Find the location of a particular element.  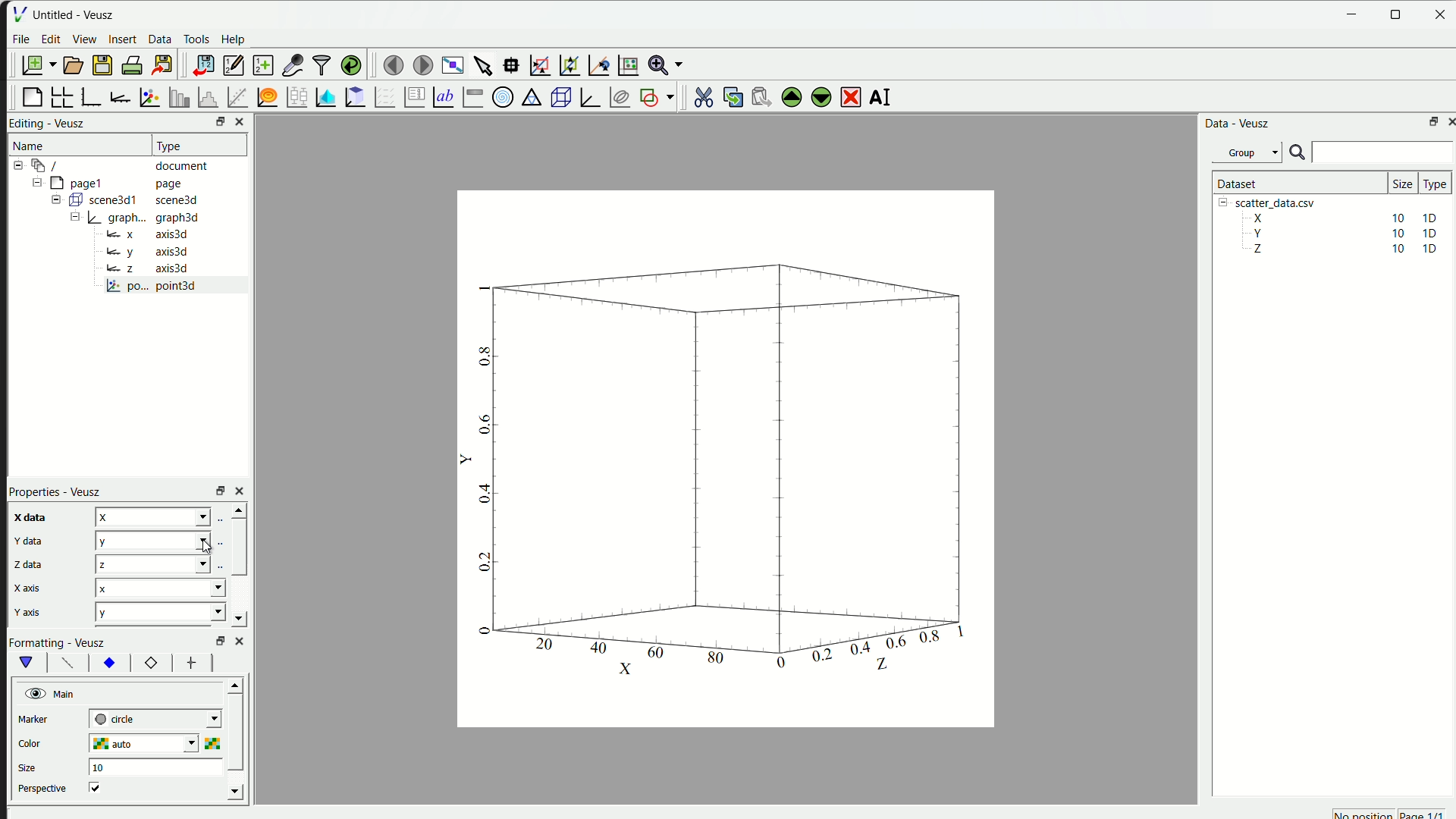

| Dataset is located at coordinates (1235, 184).